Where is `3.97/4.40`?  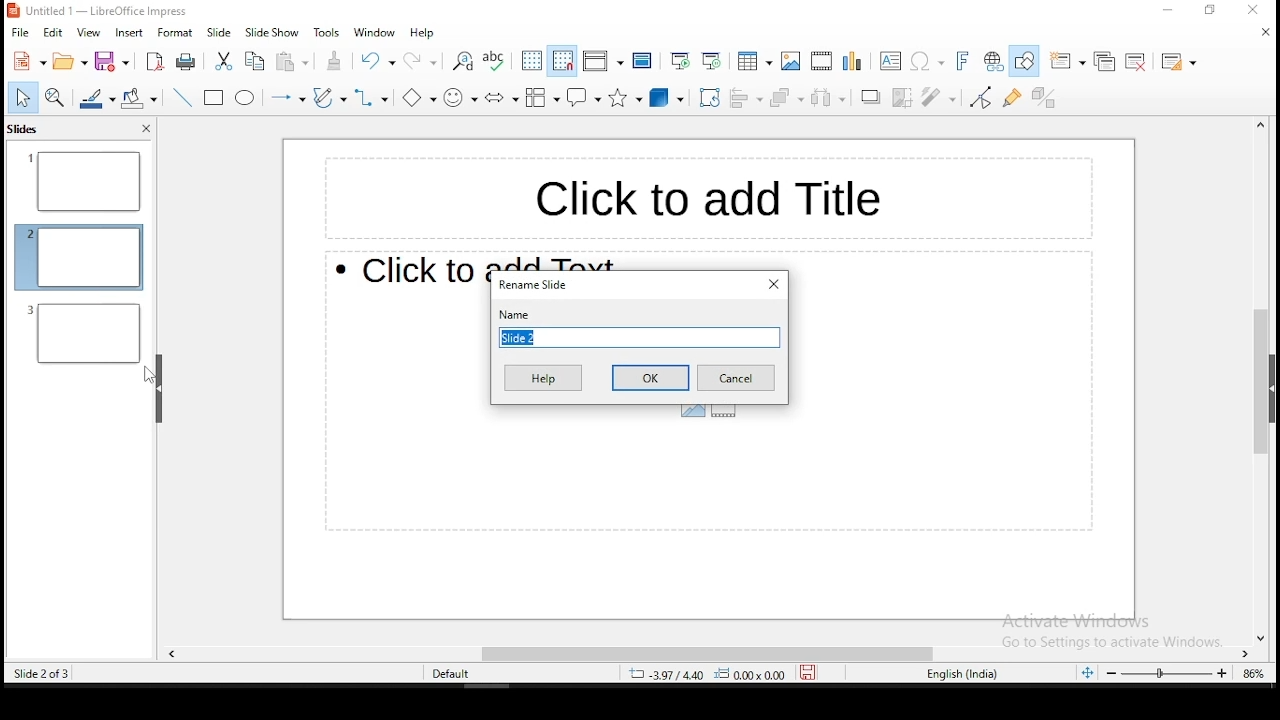
3.97/4.40 is located at coordinates (670, 674).